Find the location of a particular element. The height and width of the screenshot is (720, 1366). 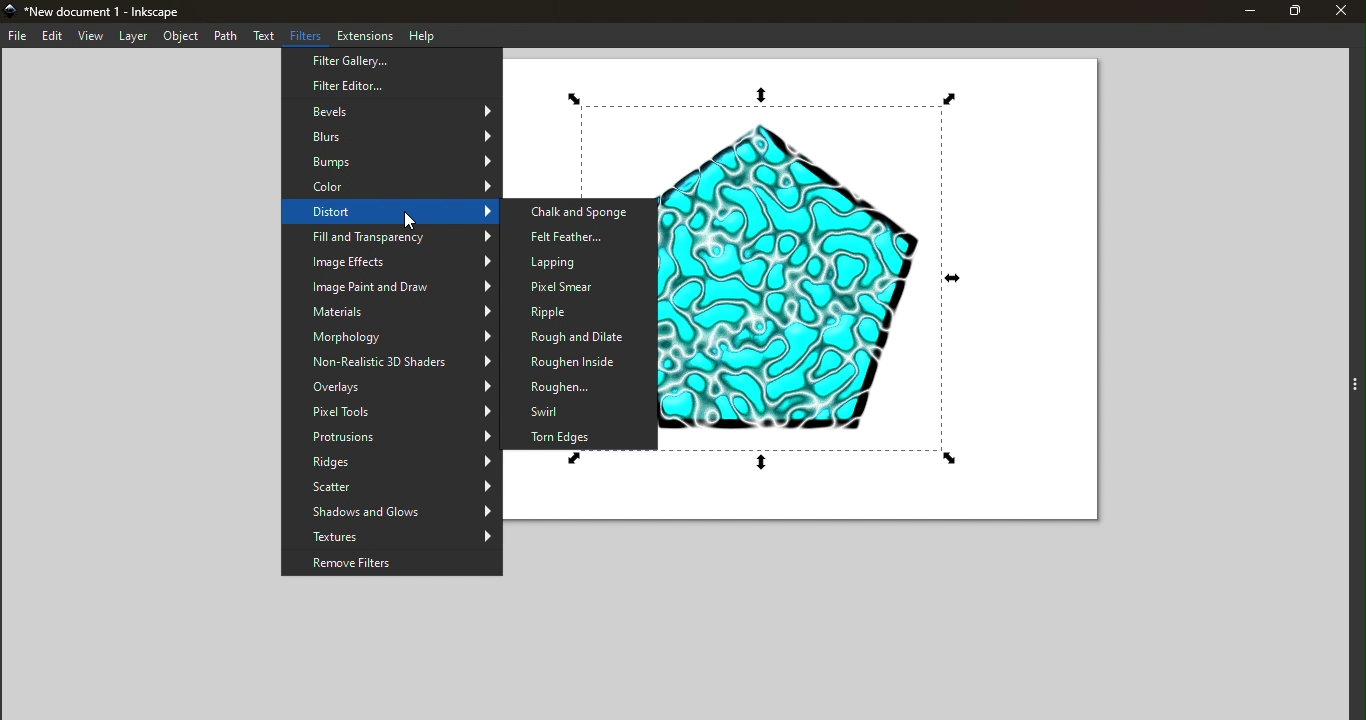

Swirl is located at coordinates (581, 412).